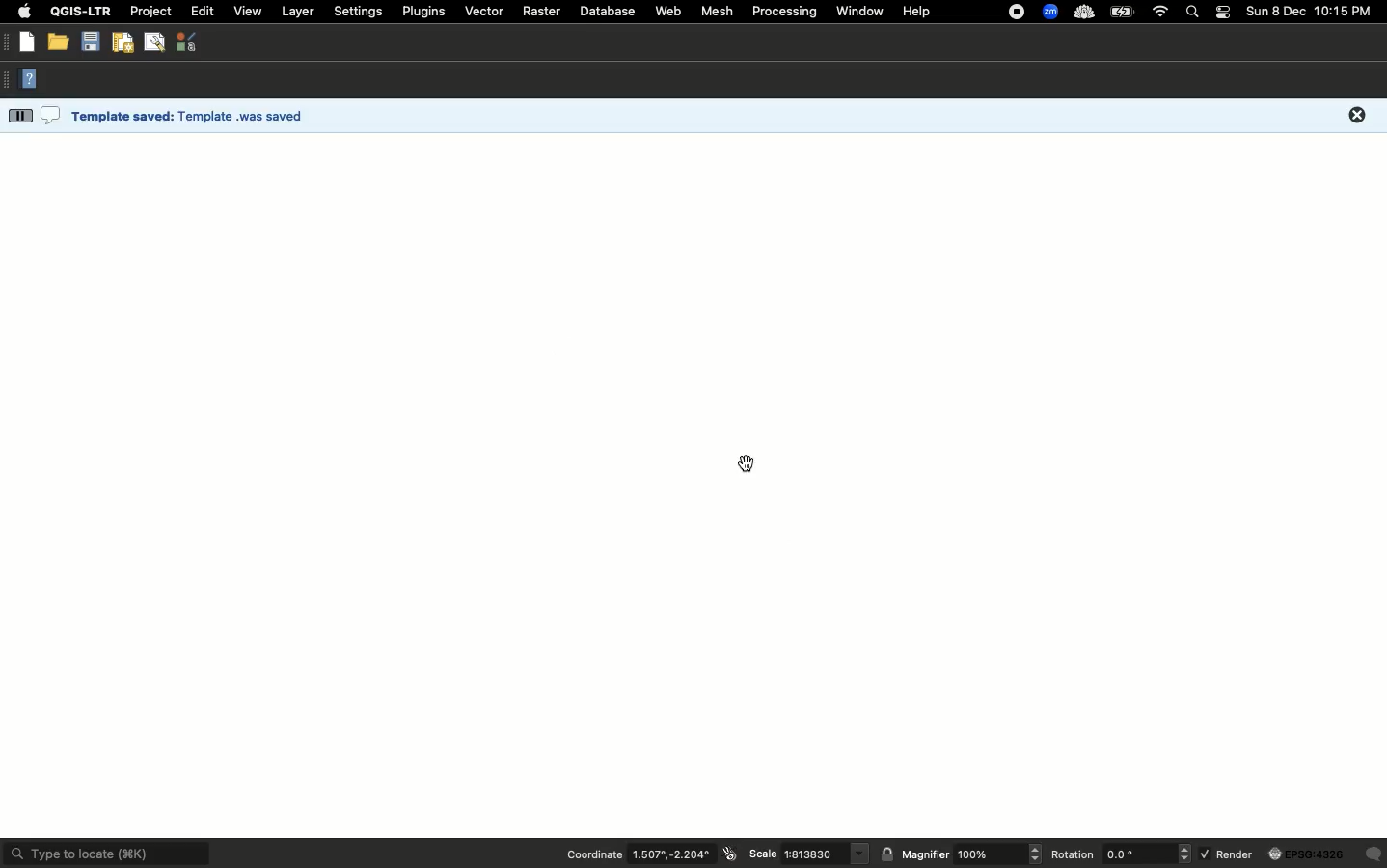 This screenshot has height=868, width=1387. Describe the element at coordinates (247, 11) in the screenshot. I see `View` at that location.